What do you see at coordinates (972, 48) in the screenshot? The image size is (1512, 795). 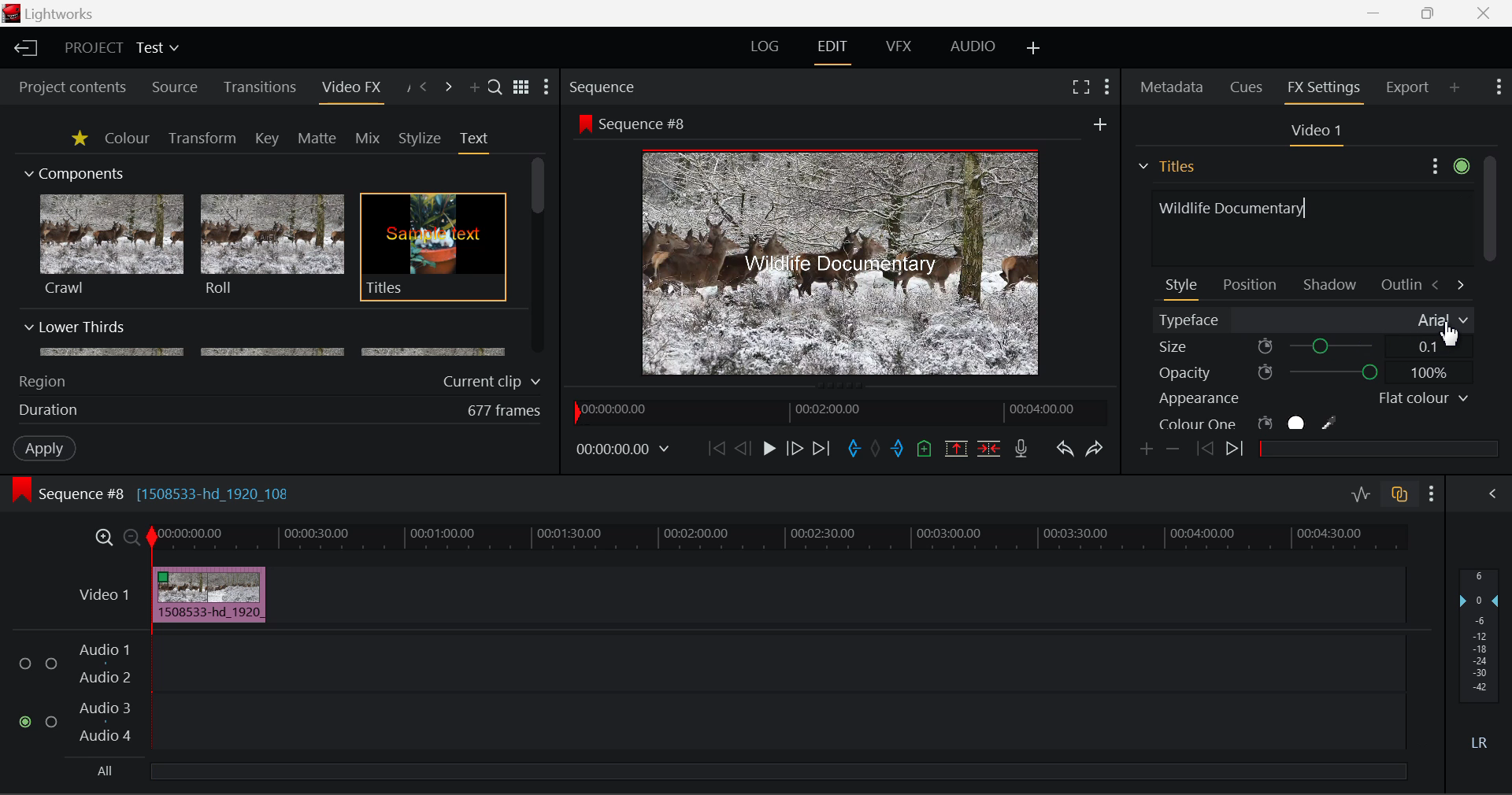 I see `AUDIO Layout` at bounding box center [972, 48].